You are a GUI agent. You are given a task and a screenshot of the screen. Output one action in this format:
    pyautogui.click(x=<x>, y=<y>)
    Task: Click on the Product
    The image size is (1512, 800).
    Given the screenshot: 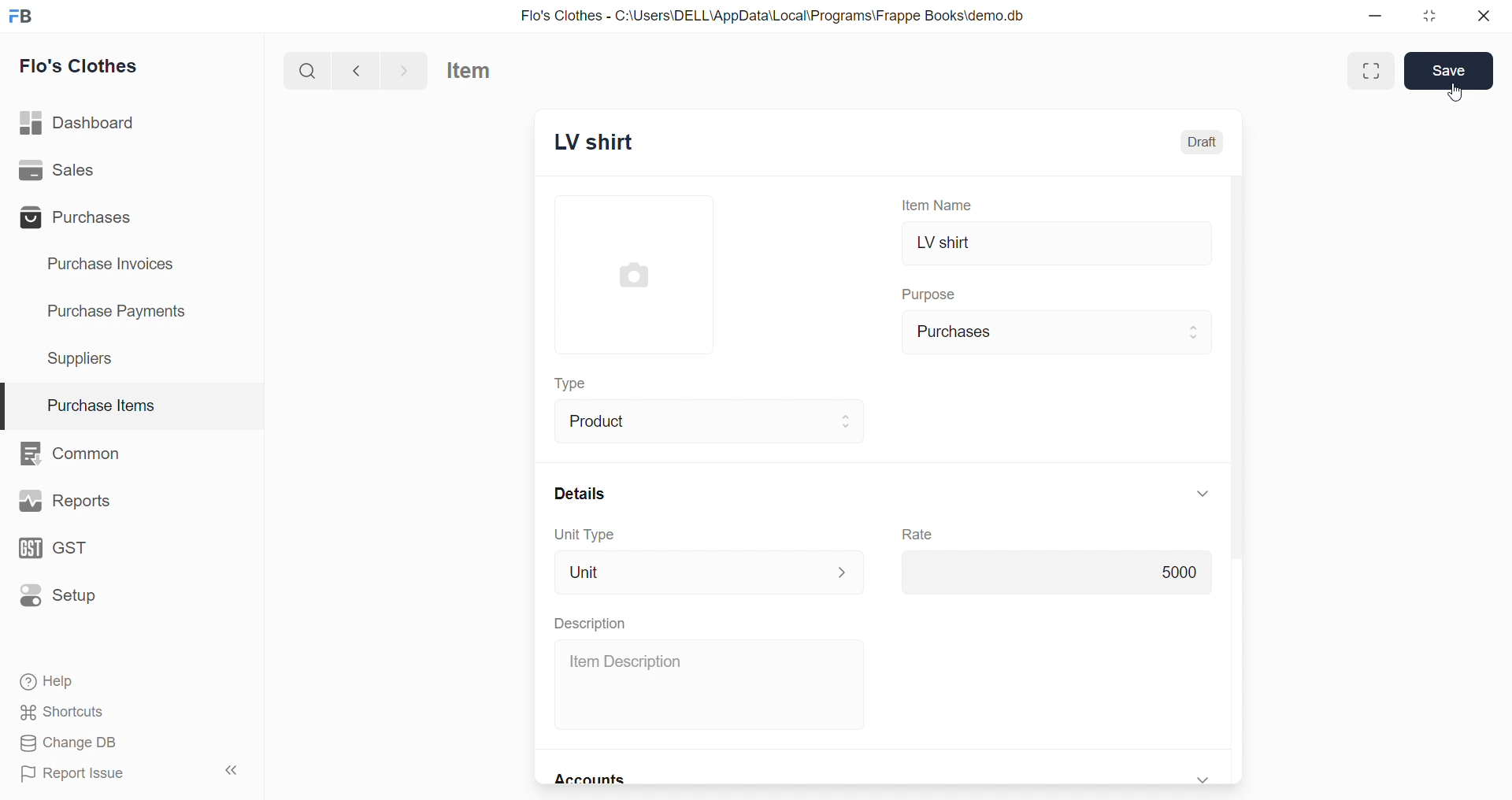 What is the action you would take?
    pyautogui.click(x=713, y=420)
    